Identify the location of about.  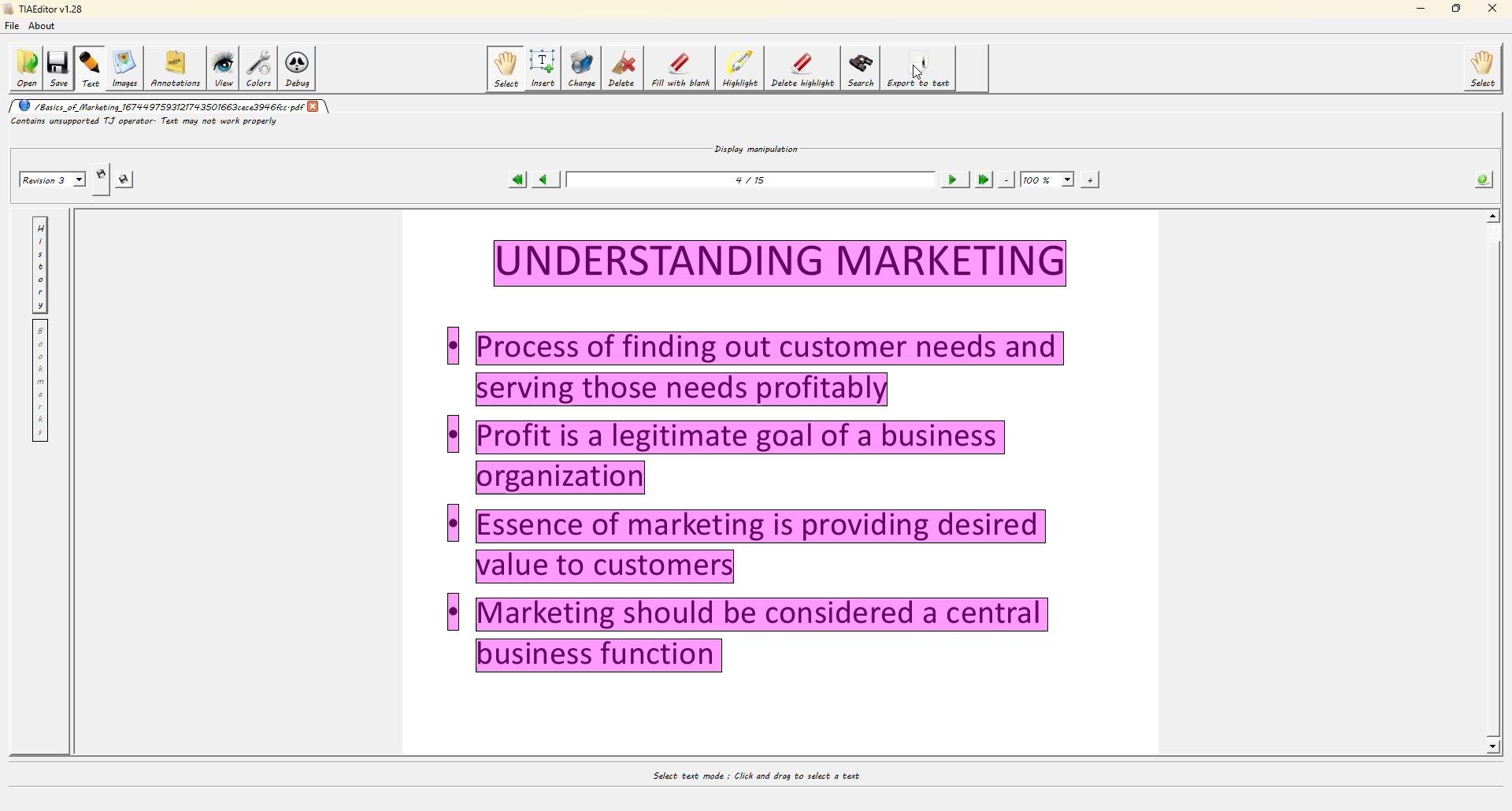
(43, 26).